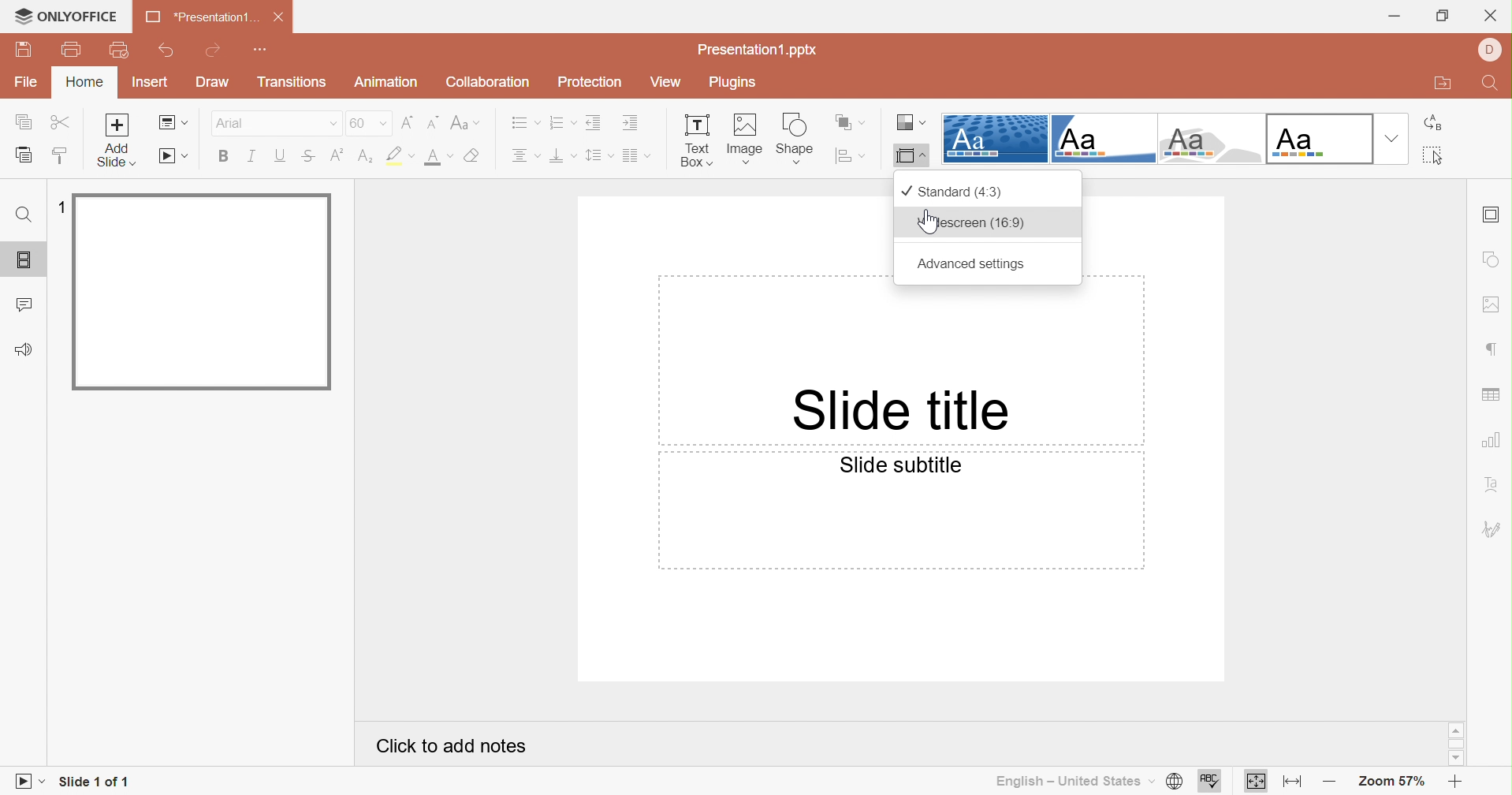 This screenshot has width=1512, height=795. I want to click on Widescreen (16:9), so click(970, 222).